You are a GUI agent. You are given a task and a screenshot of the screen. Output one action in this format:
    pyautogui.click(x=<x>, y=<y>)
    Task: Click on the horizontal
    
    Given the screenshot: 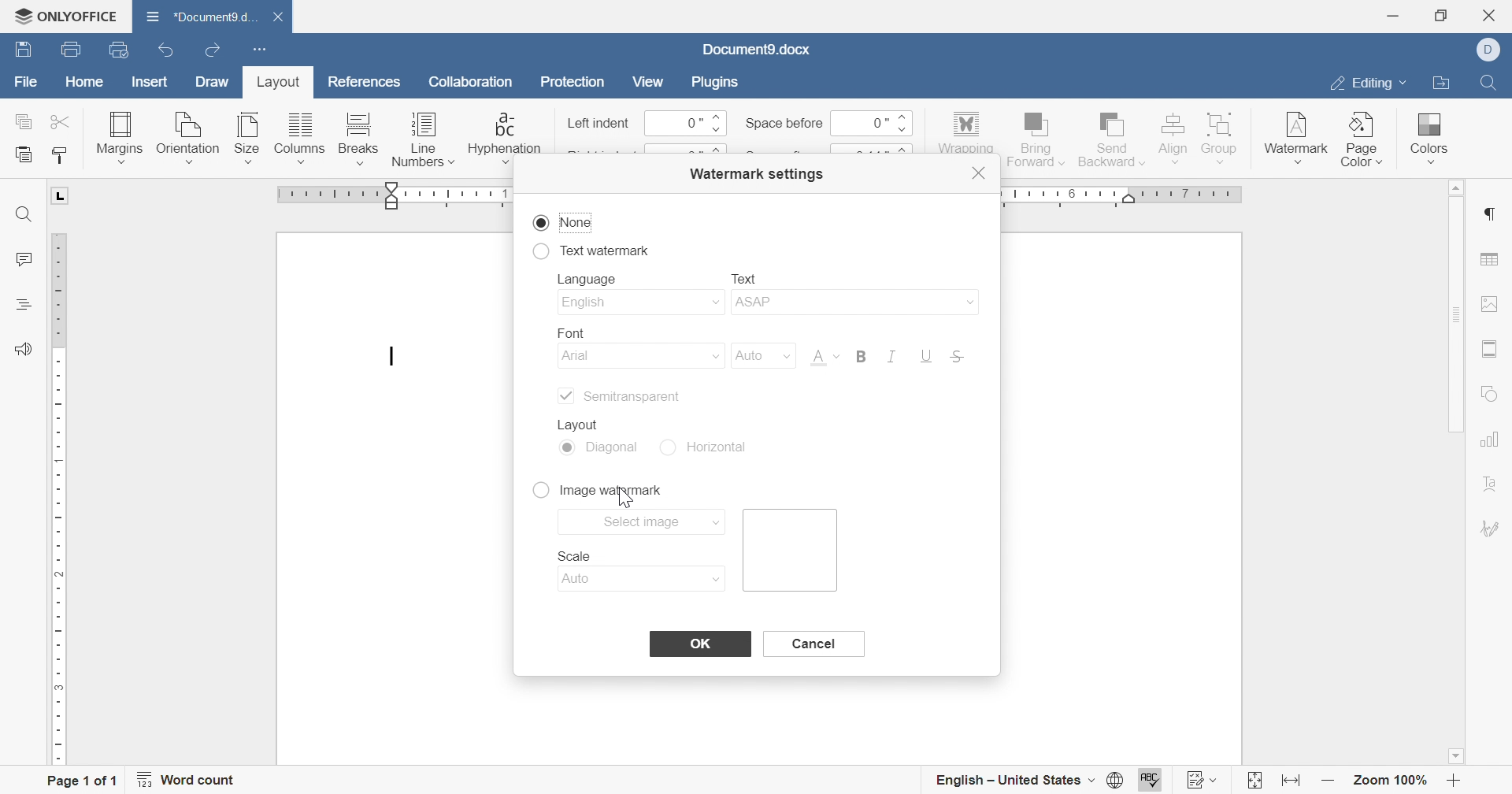 What is the action you would take?
    pyautogui.click(x=711, y=447)
    